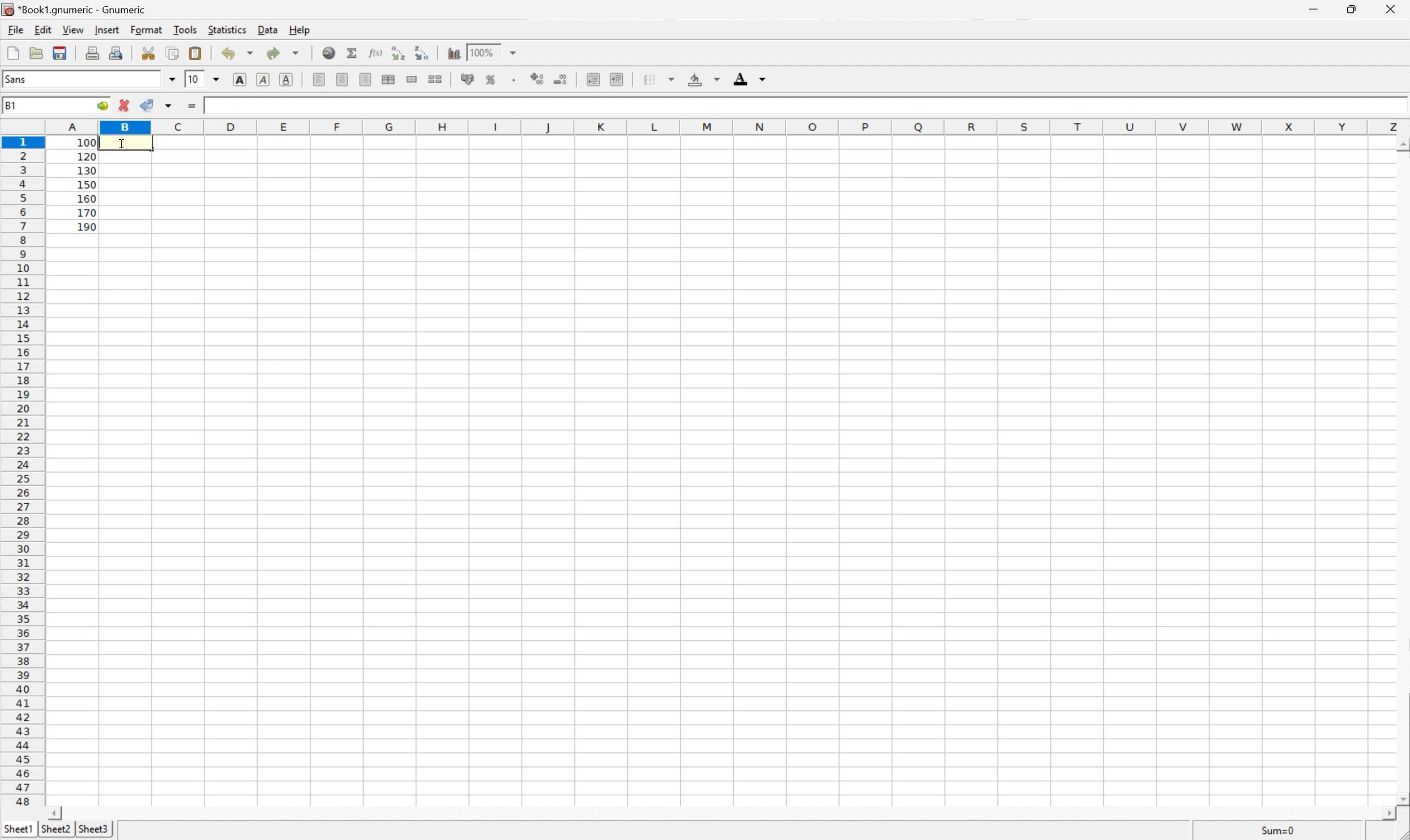  What do you see at coordinates (188, 30) in the screenshot?
I see `Tools` at bounding box center [188, 30].